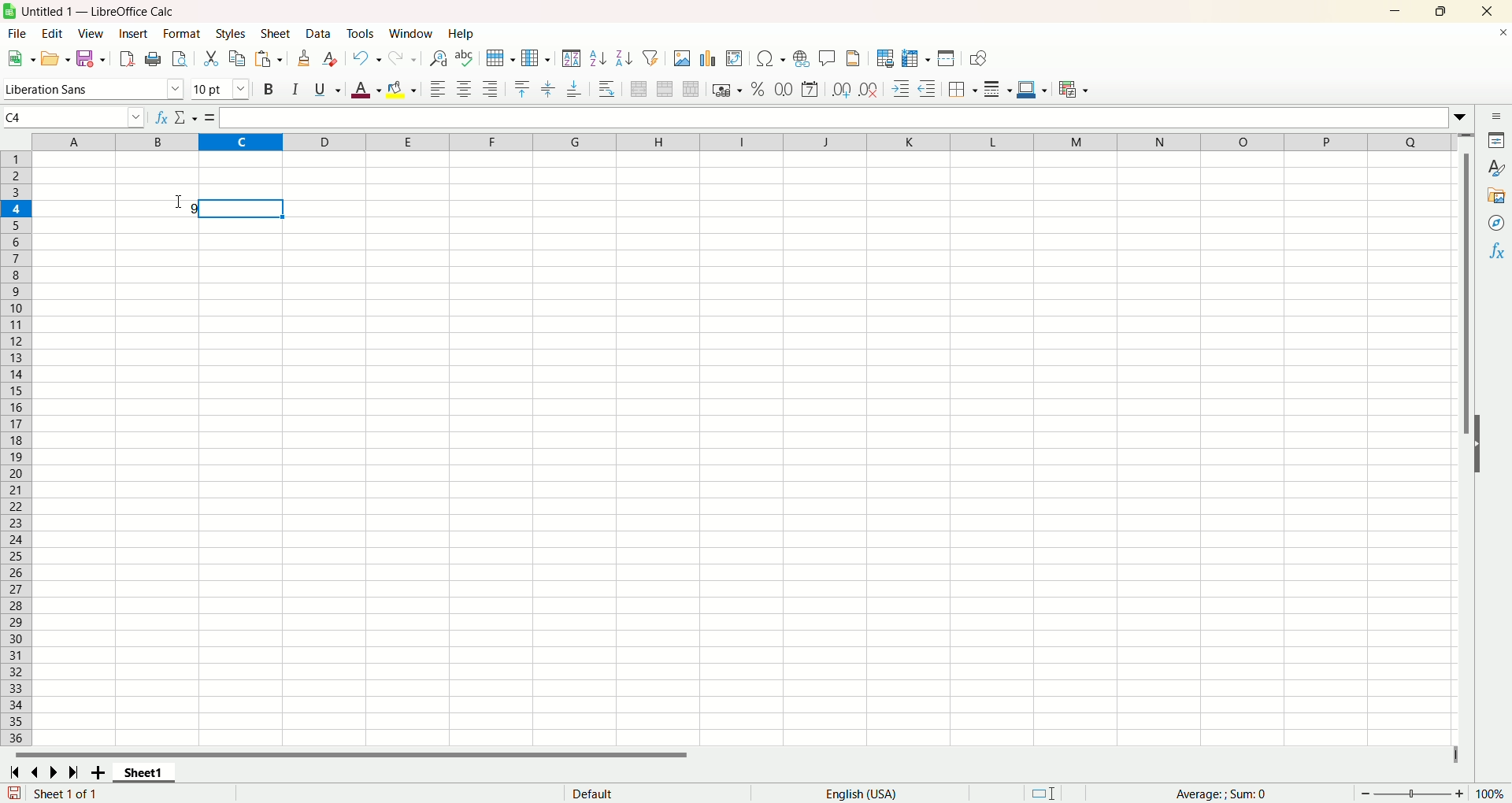 The width and height of the screenshot is (1512, 803). I want to click on column names, so click(743, 140).